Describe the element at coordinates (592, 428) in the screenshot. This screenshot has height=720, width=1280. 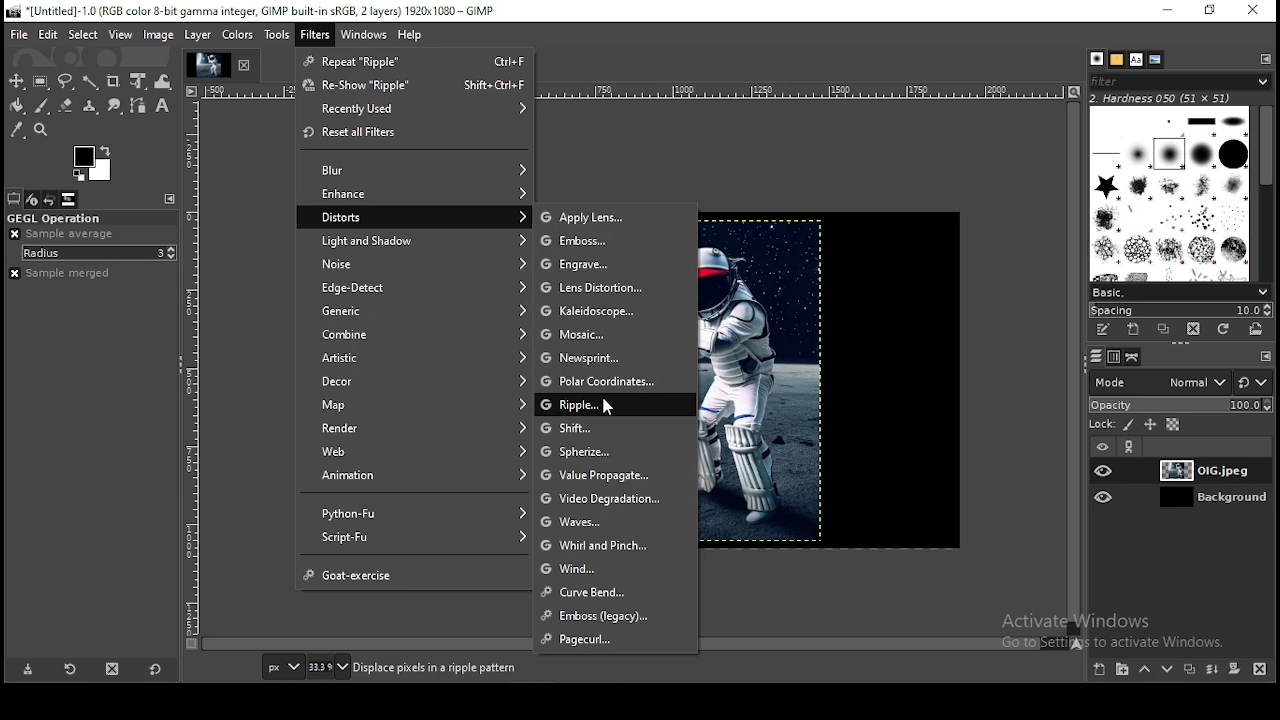
I see `shift` at that location.